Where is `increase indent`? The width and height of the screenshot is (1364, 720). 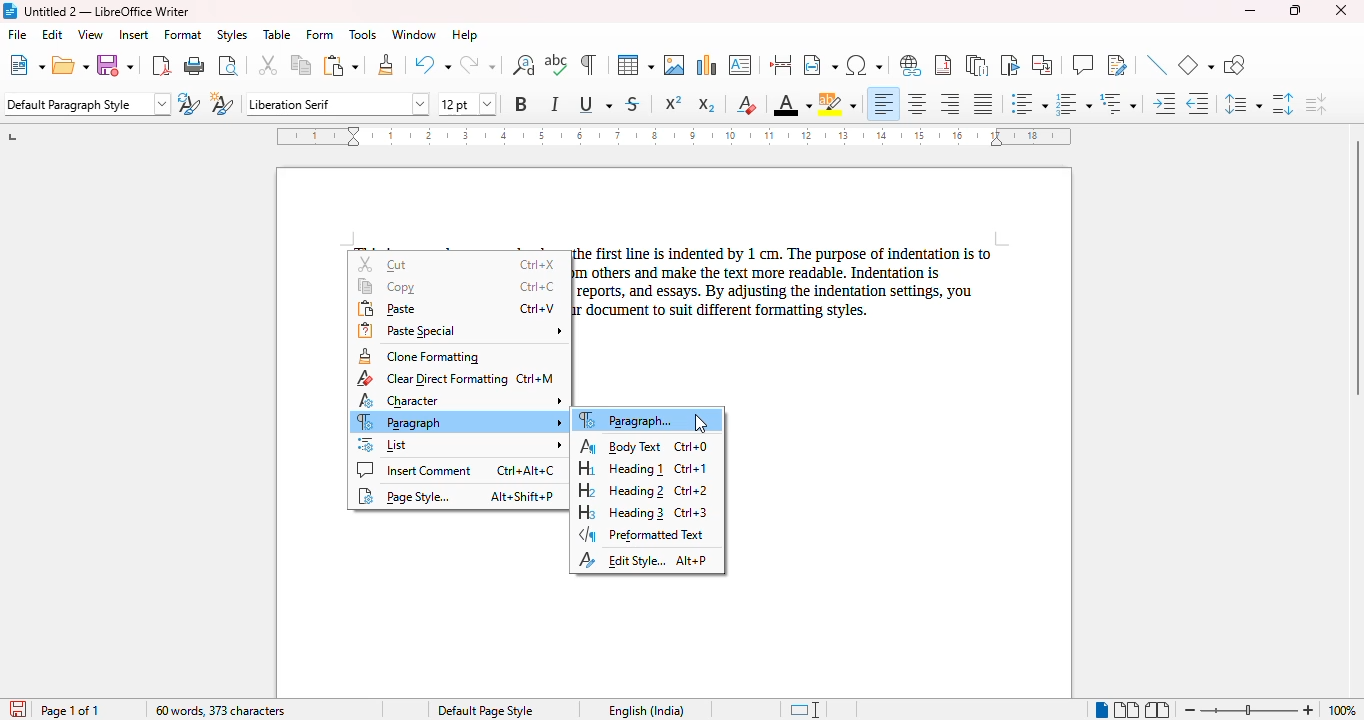 increase indent is located at coordinates (1165, 103).